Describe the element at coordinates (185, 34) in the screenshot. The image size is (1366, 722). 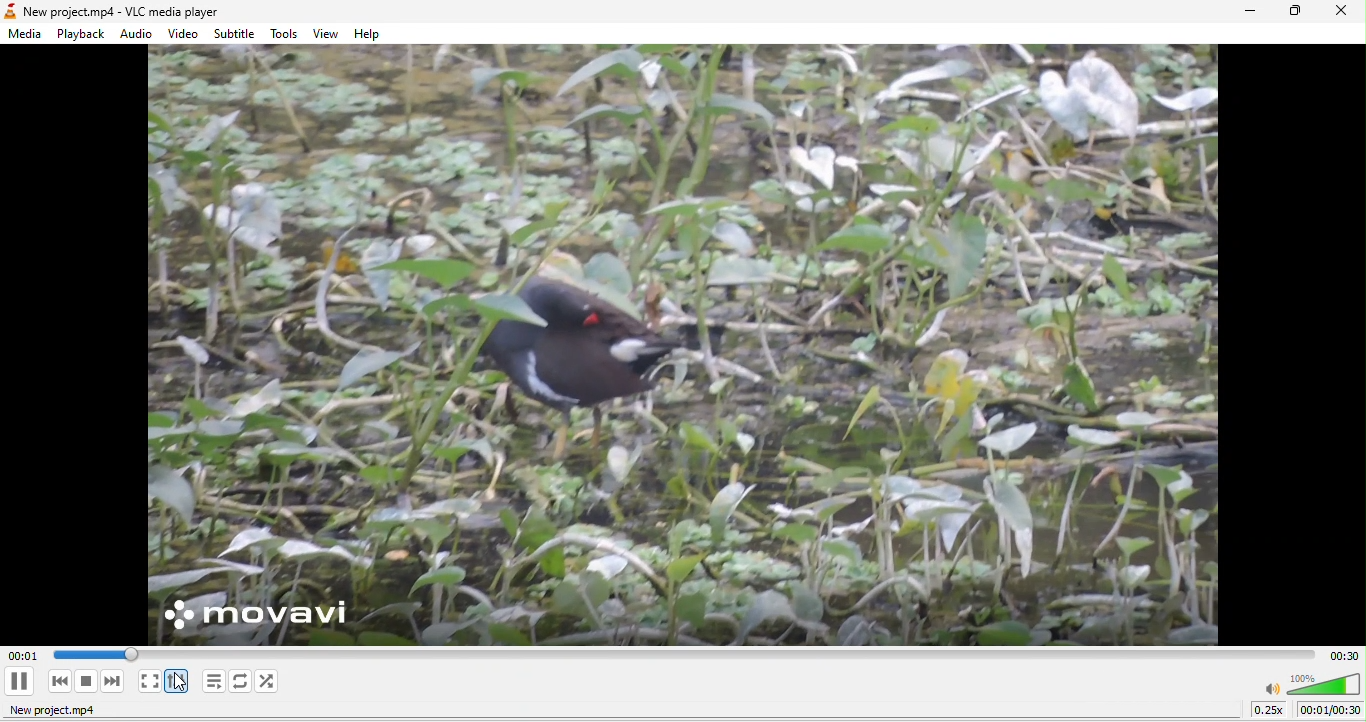
I see `video` at that location.